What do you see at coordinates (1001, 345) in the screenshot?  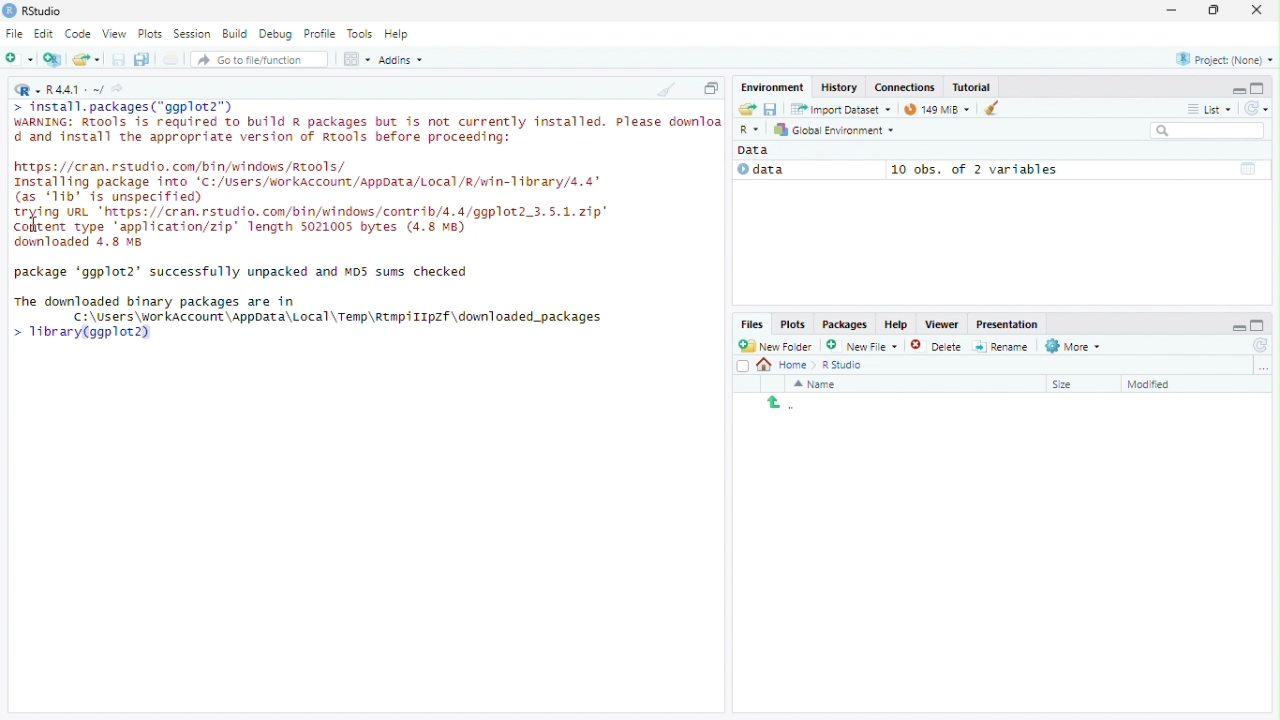 I see `Rename selected file/folder` at bounding box center [1001, 345].